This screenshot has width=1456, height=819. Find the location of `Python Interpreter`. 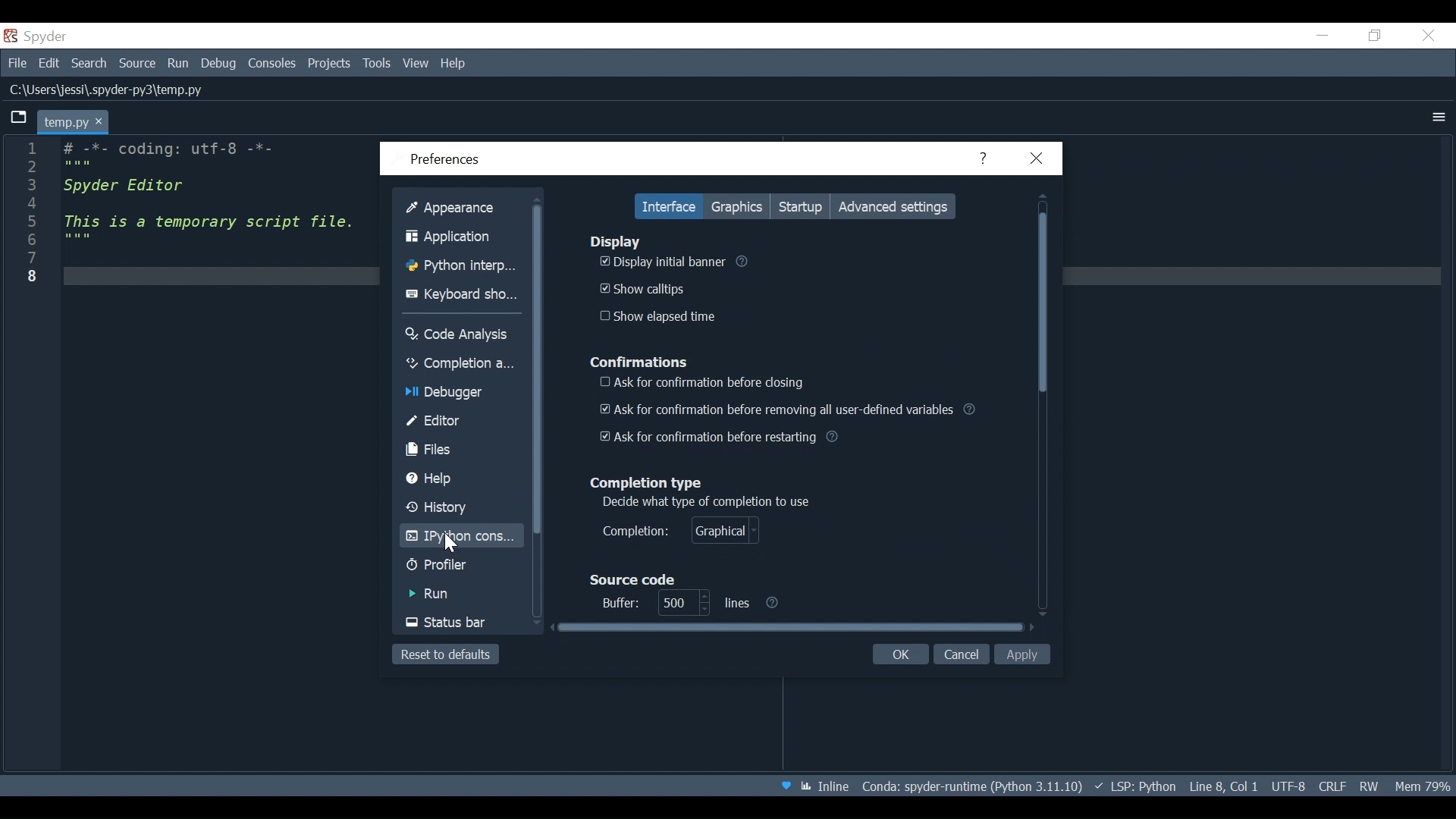

Python Interpreter is located at coordinates (459, 268).